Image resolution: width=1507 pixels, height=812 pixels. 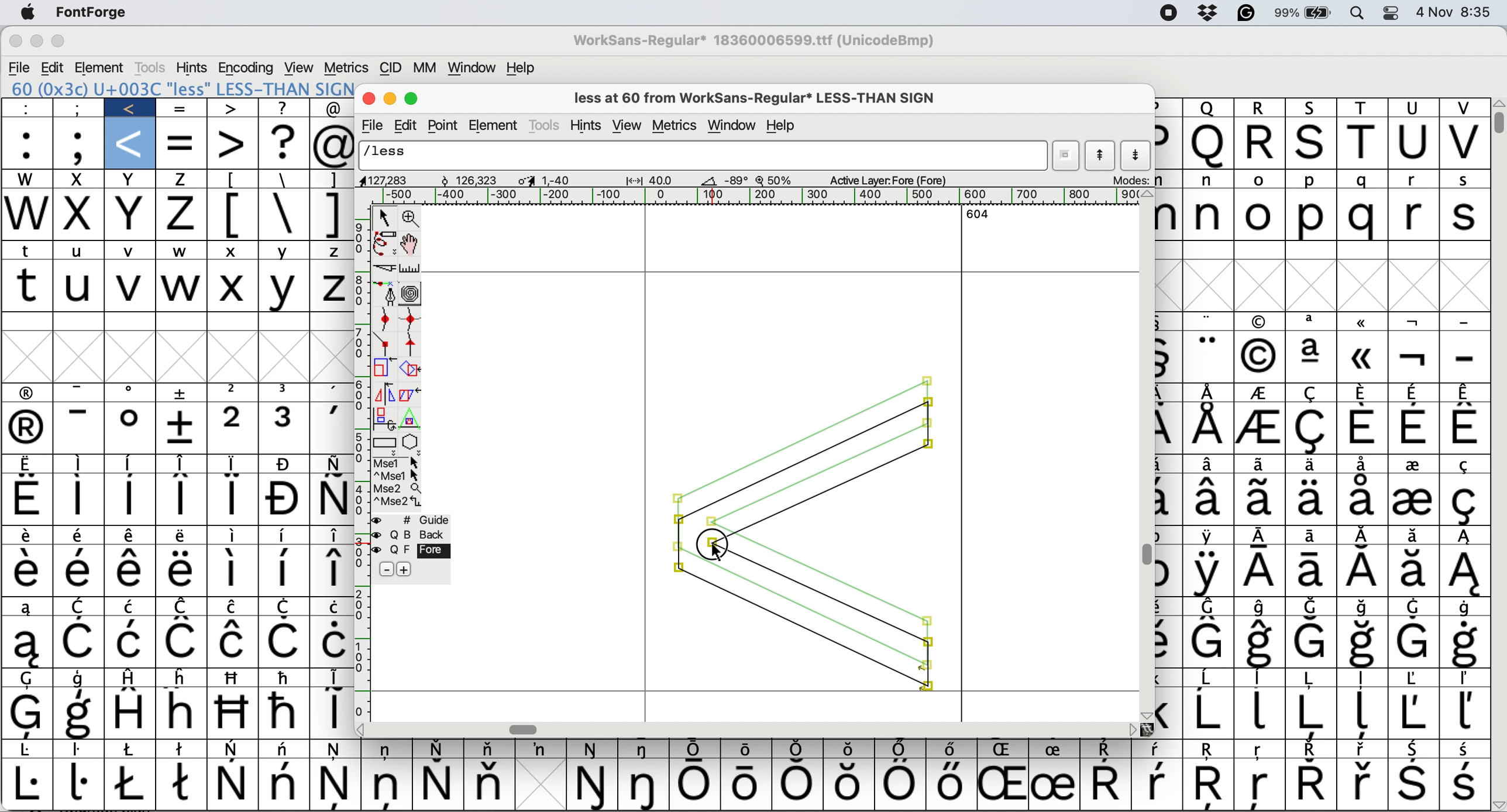 I want to click on Symbol, so click(x=1413, y=749).